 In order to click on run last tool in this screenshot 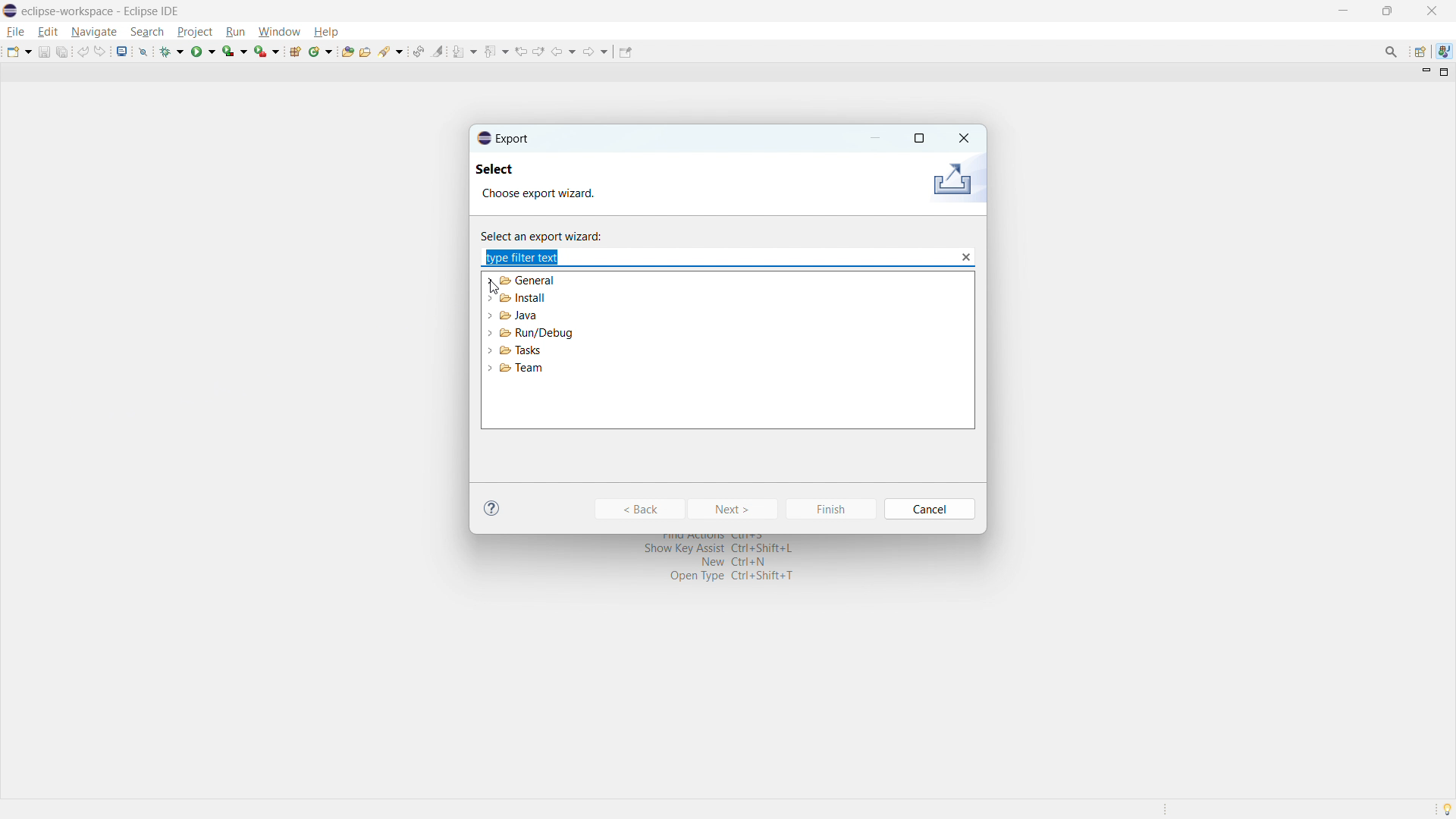, I will do `click(266, 50)`.